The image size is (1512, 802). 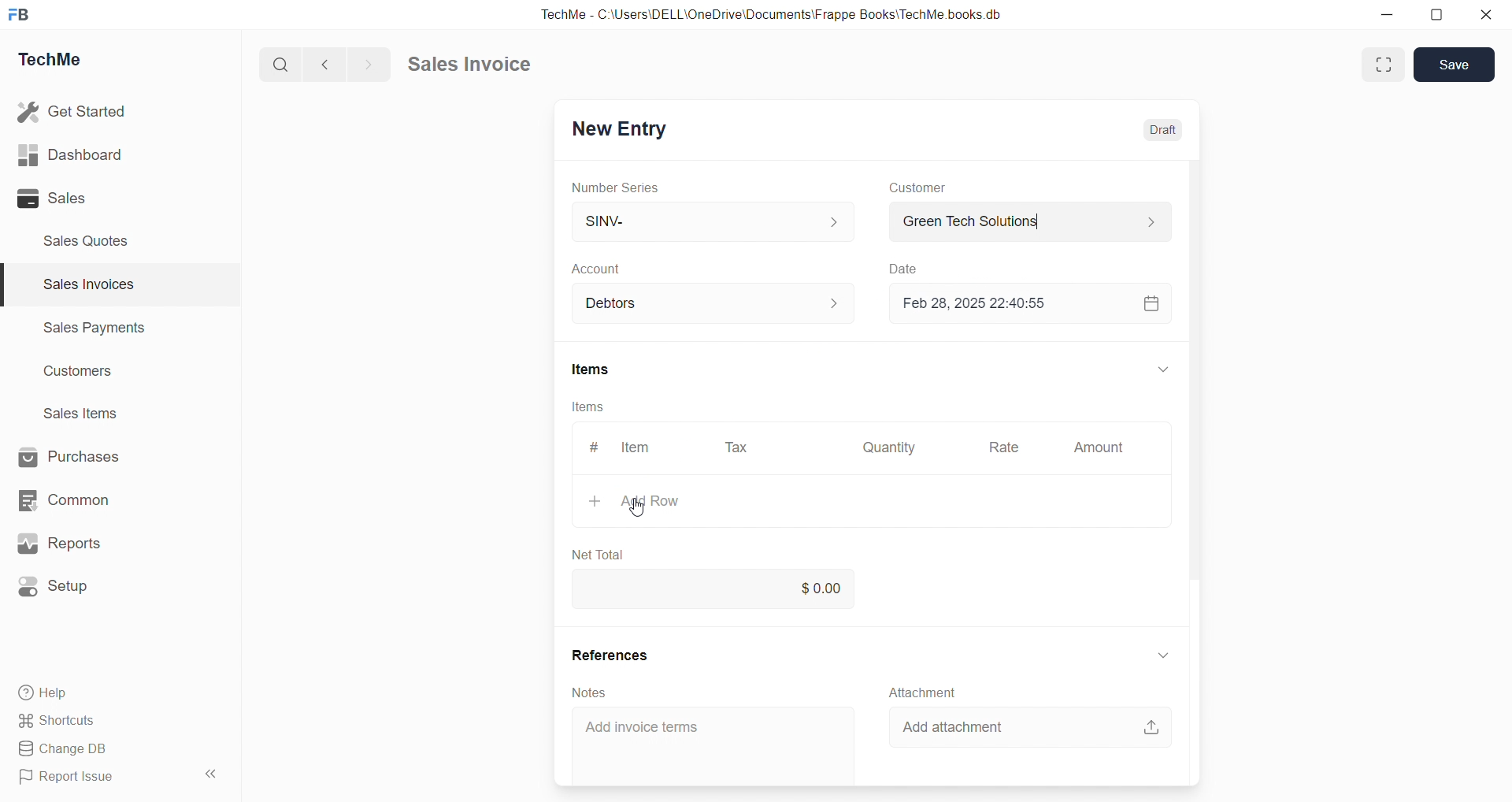 I want to click on Items, so click(x=587, y=407).